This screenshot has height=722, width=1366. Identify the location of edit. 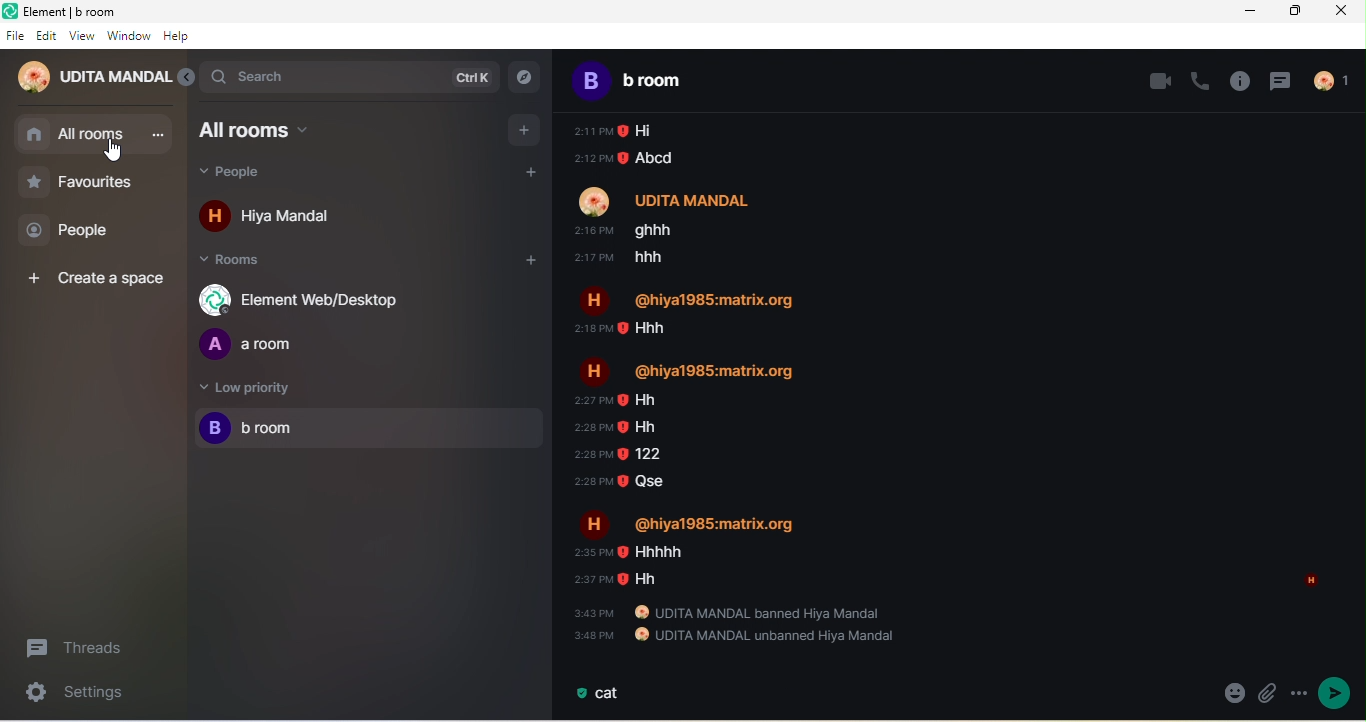
(47, 35).